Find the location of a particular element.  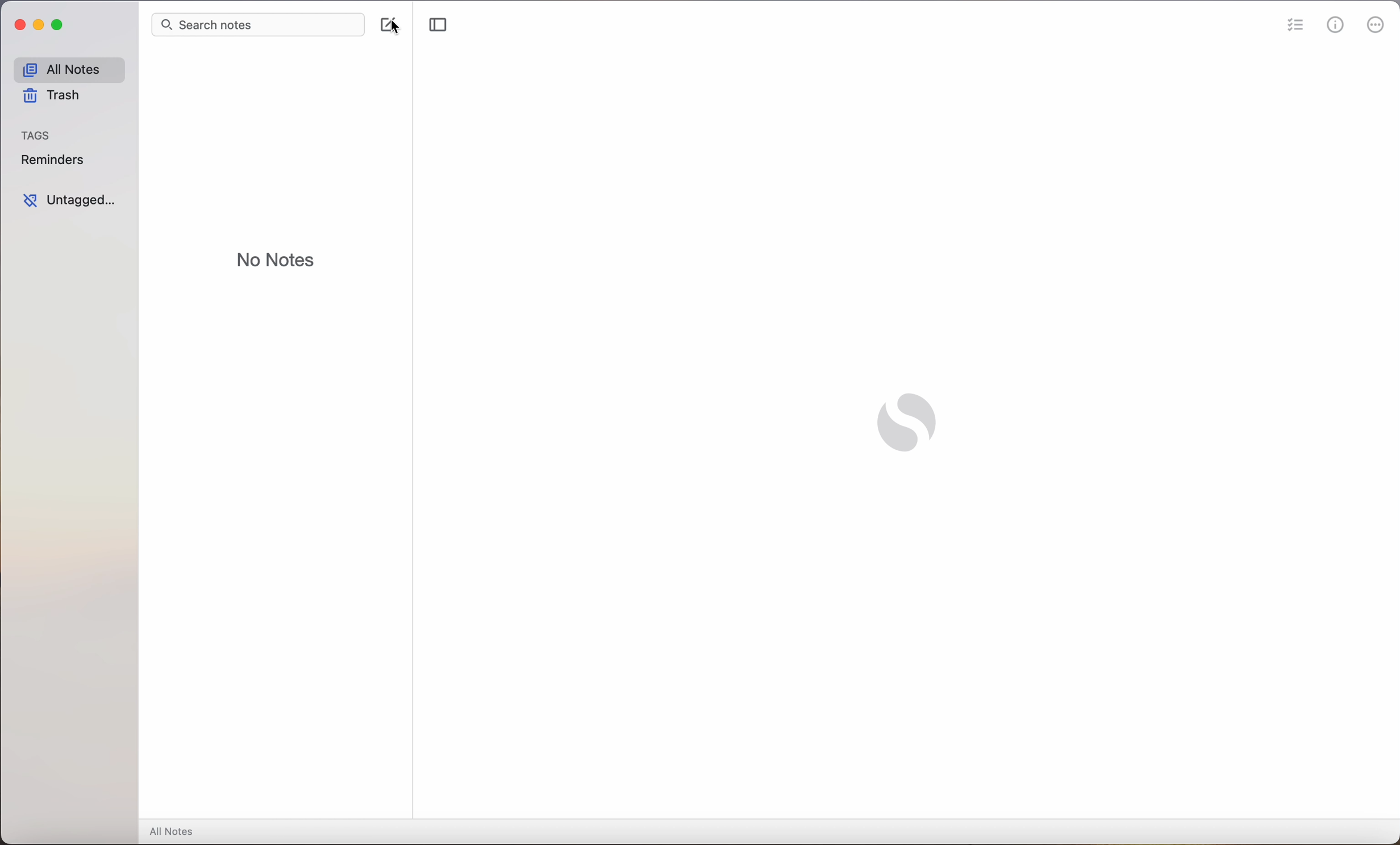

checklist is located at coordinates (1296, 26).